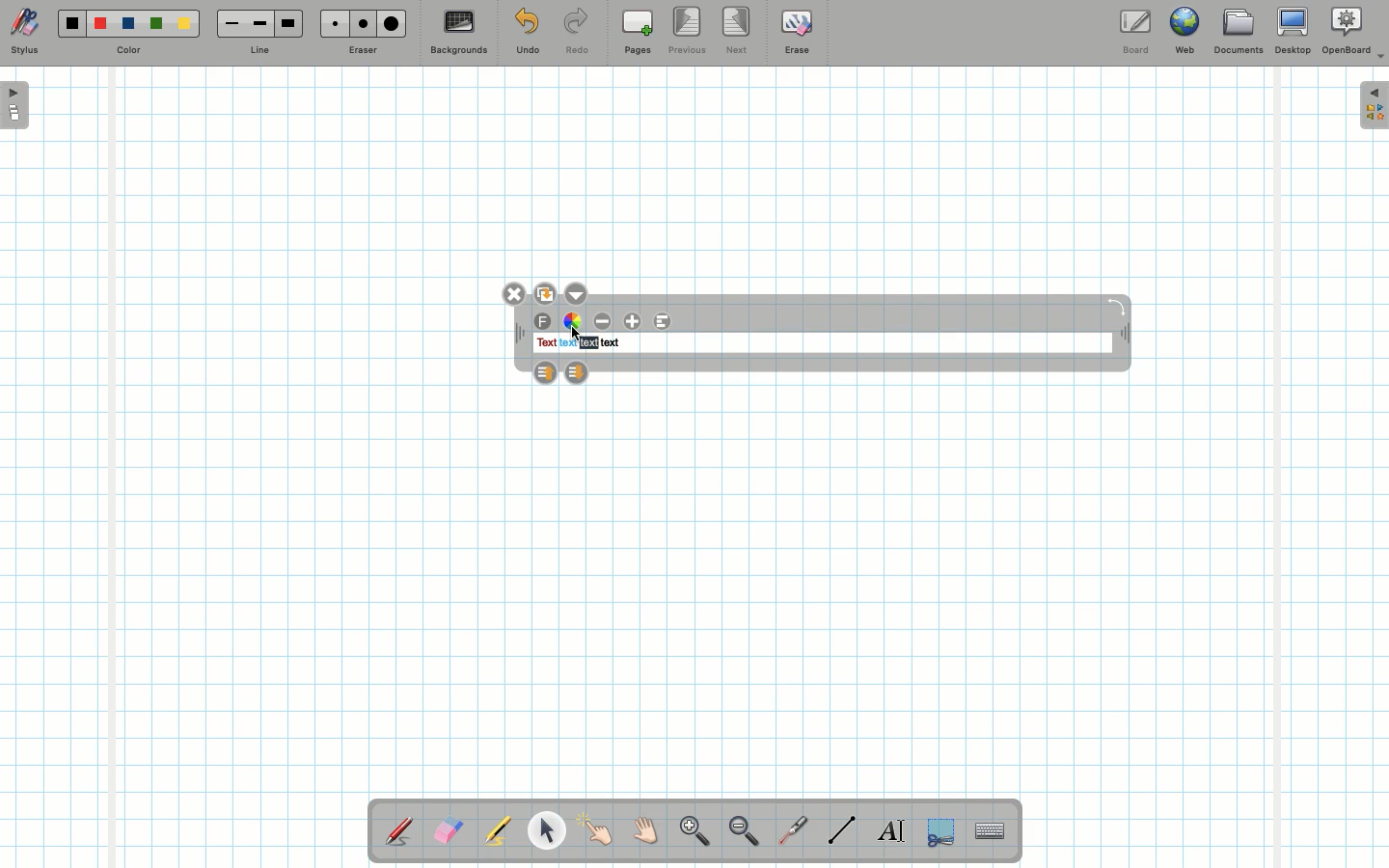 This screenshot has width=1389, height=868. Describe the element at coordinates (738, 29) in the screenshot. I see `Next` at that location.